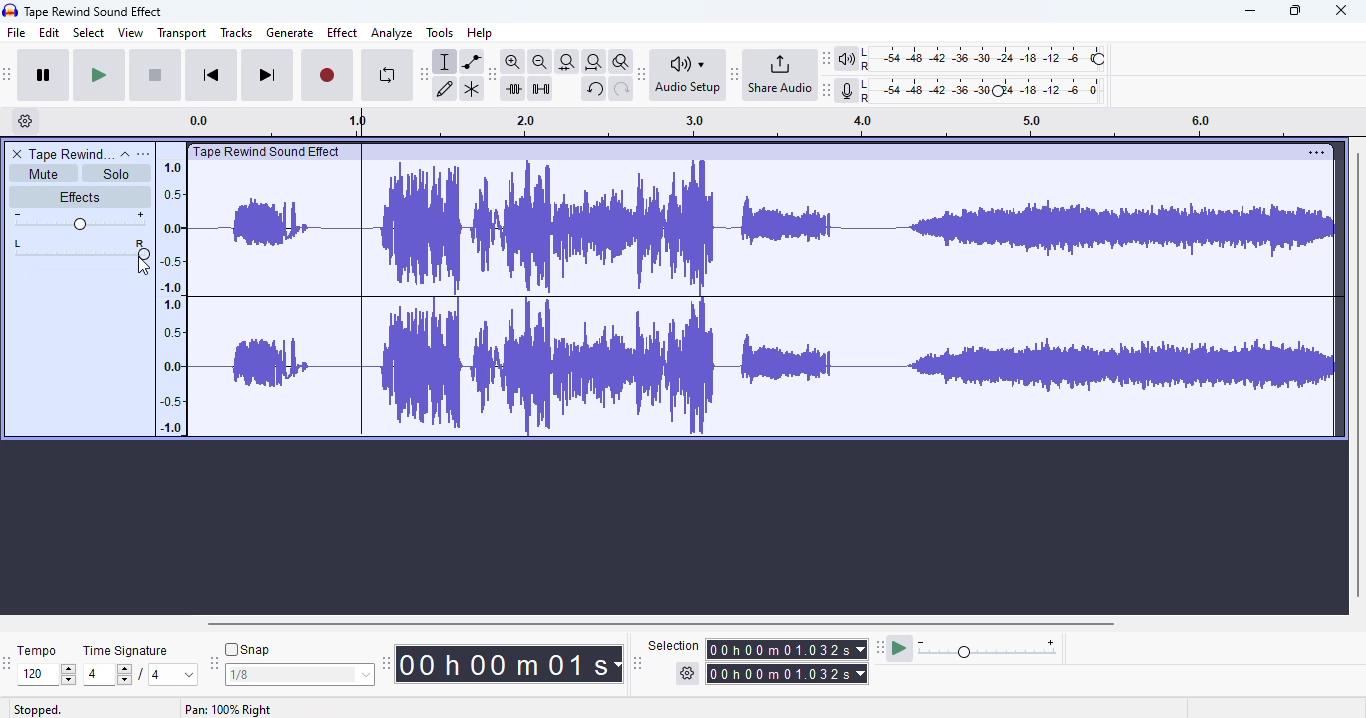  Describe the element at coordinates (490, 75) in the screenshot. I see `audacity edit toolbar` at that location.